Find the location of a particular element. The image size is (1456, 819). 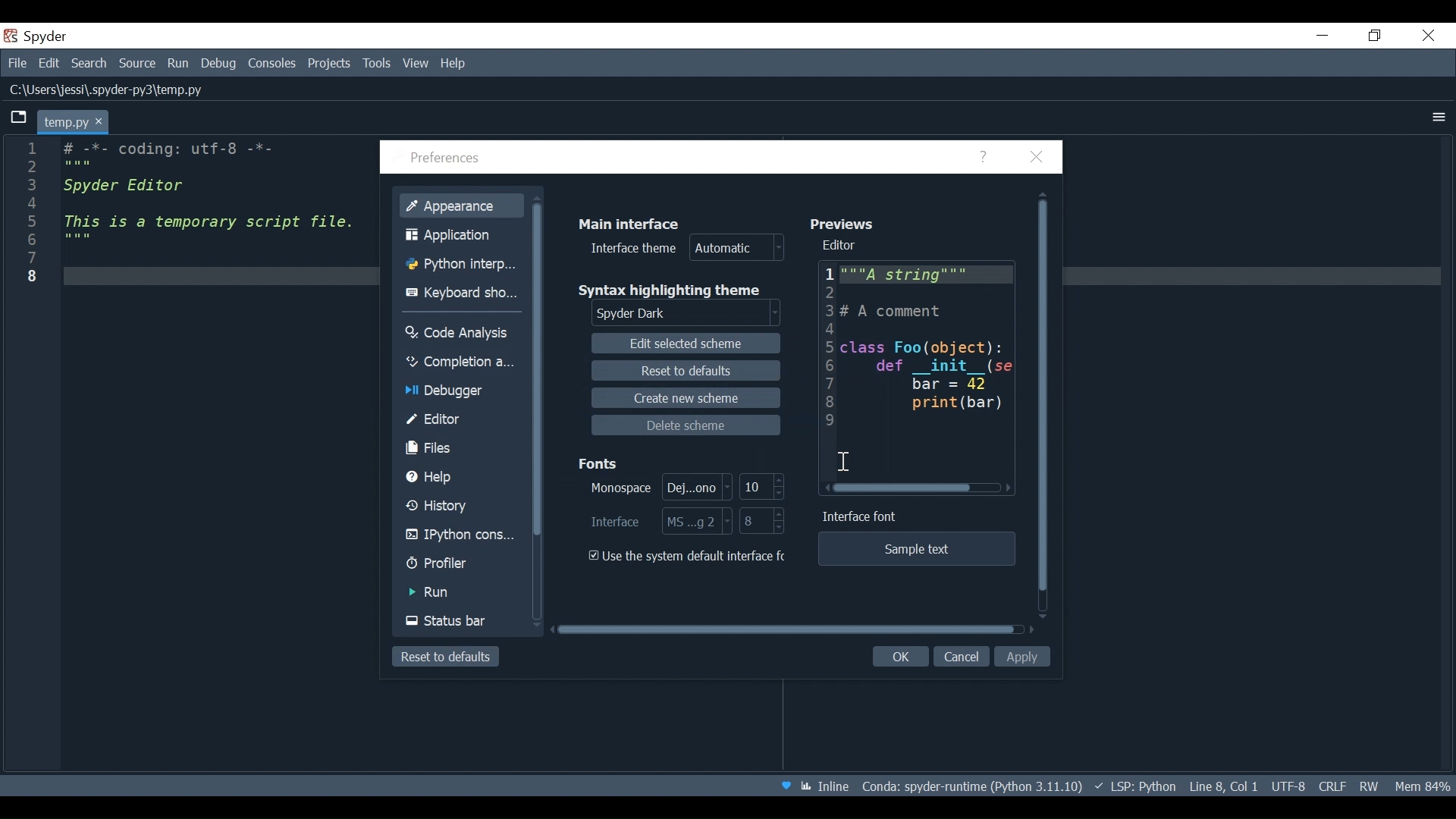

Editor is located at coordinates (918, 369).